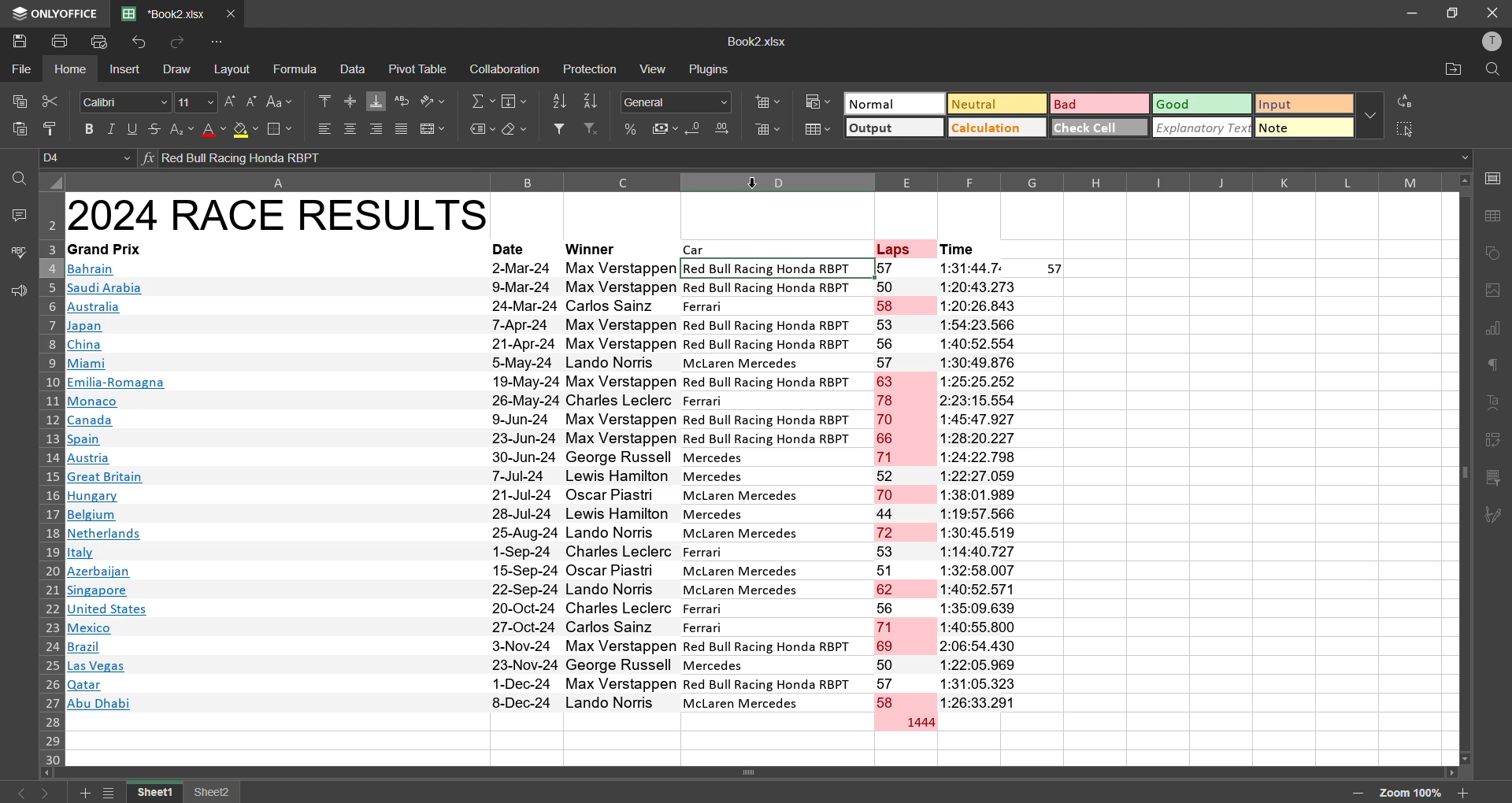 This screenshot has height=803, width=1512. I want to click on insert, so click(126, 71).